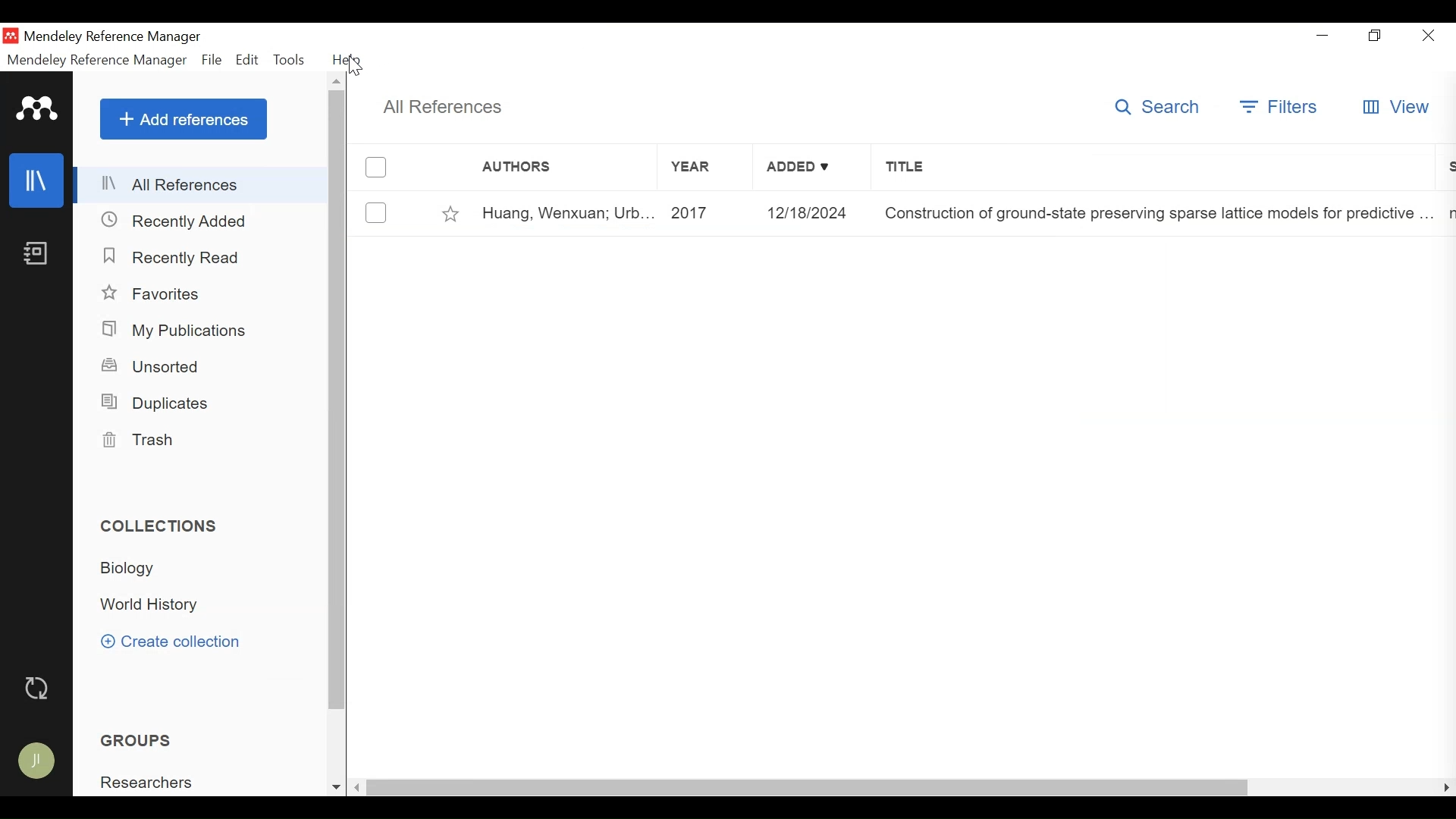  I want to click on Year, so click(707, 214).